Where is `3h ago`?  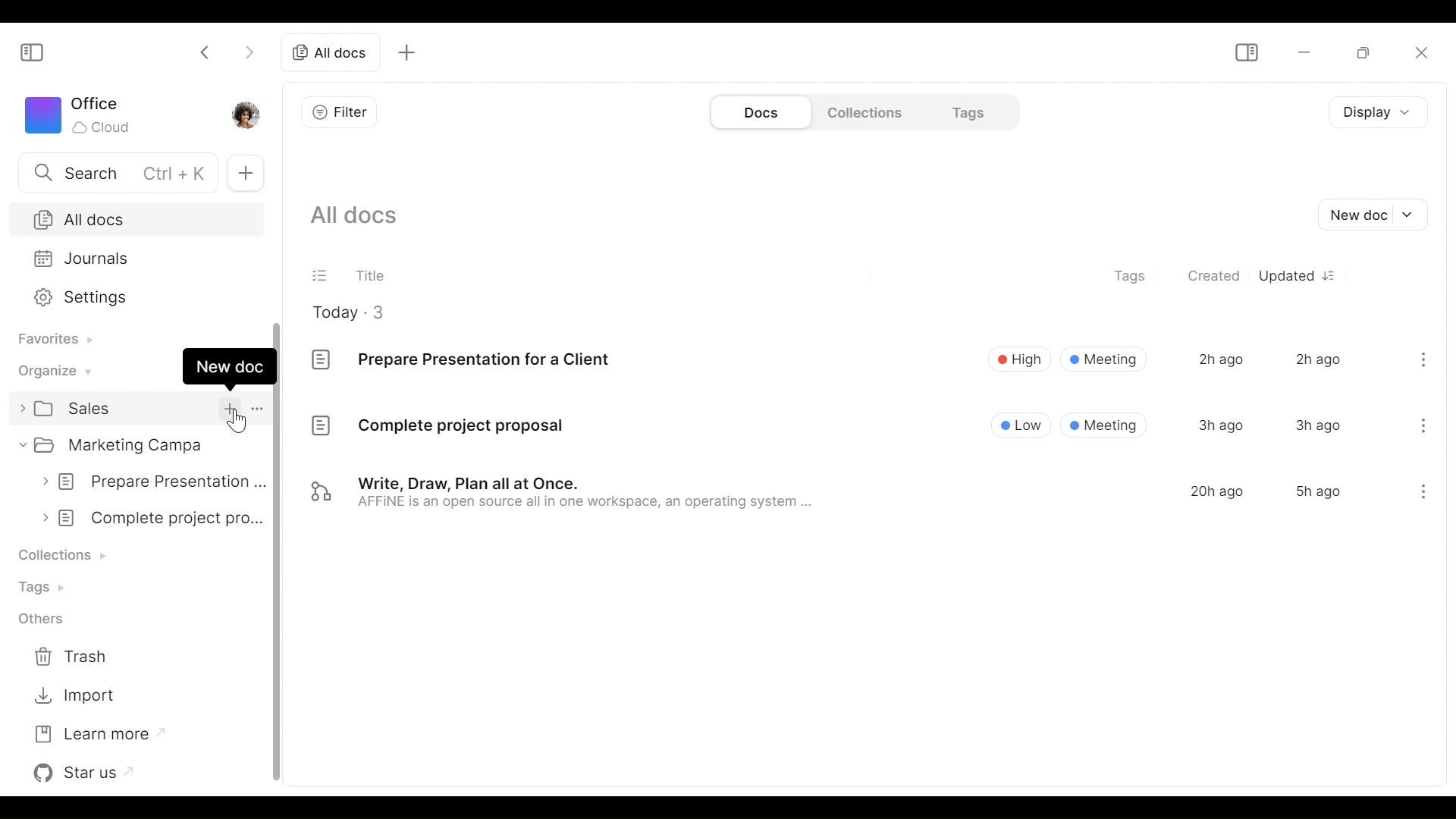 3h ago is located at coordinates (1221, 425).